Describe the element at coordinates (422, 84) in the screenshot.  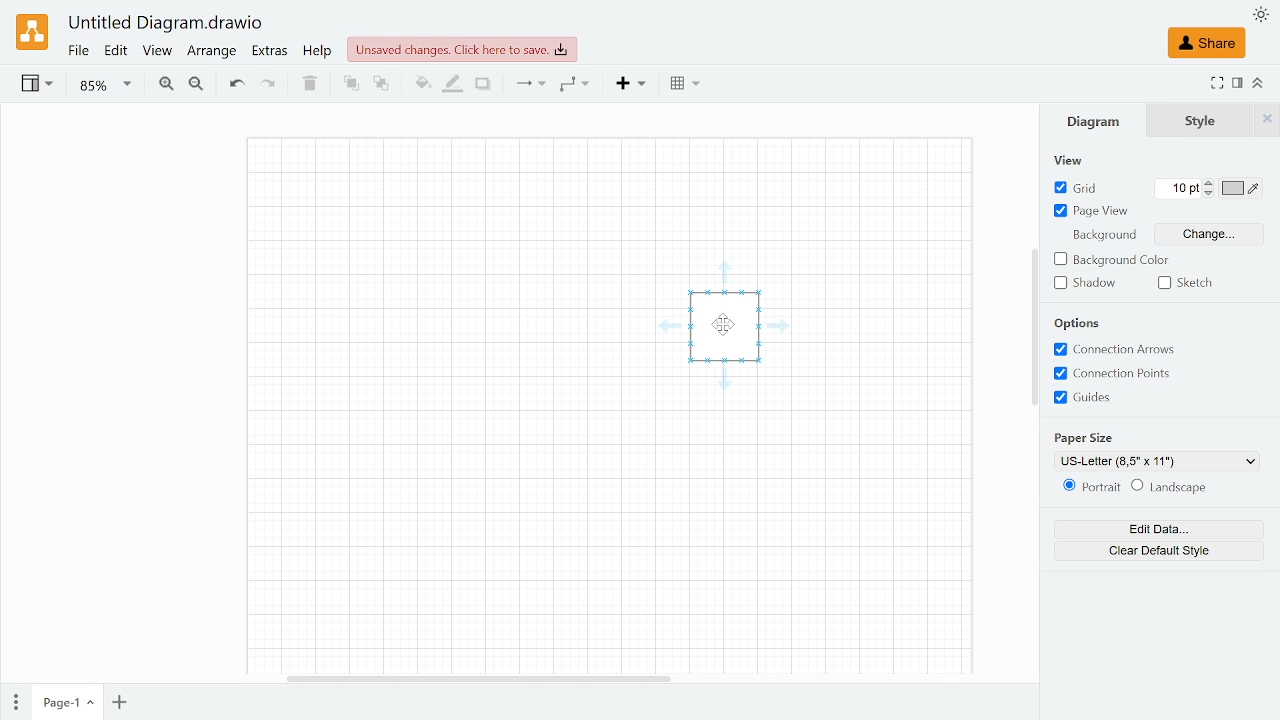
I see `Fill color` at that location.